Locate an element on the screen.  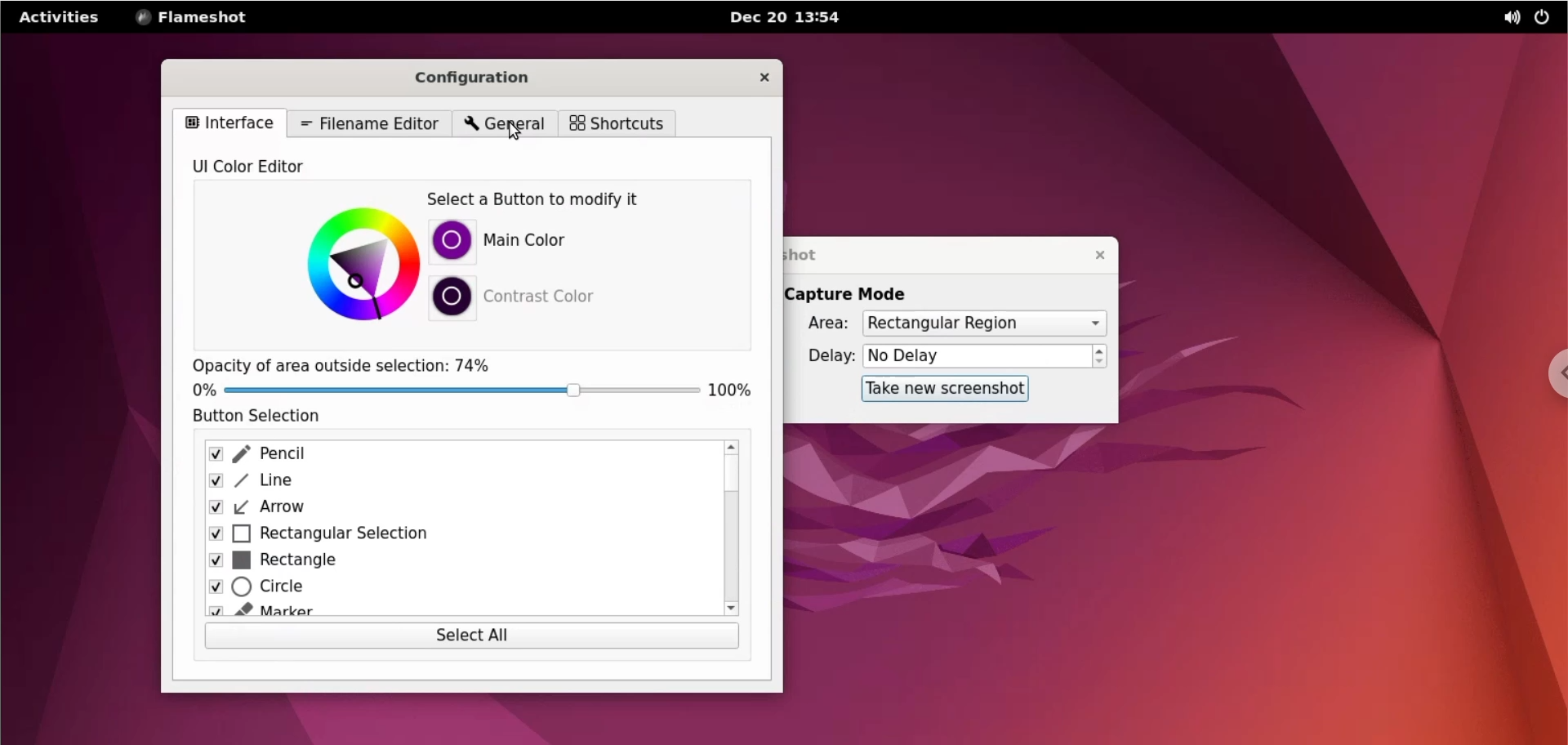
capture mode is located at coordinates (861, 294).